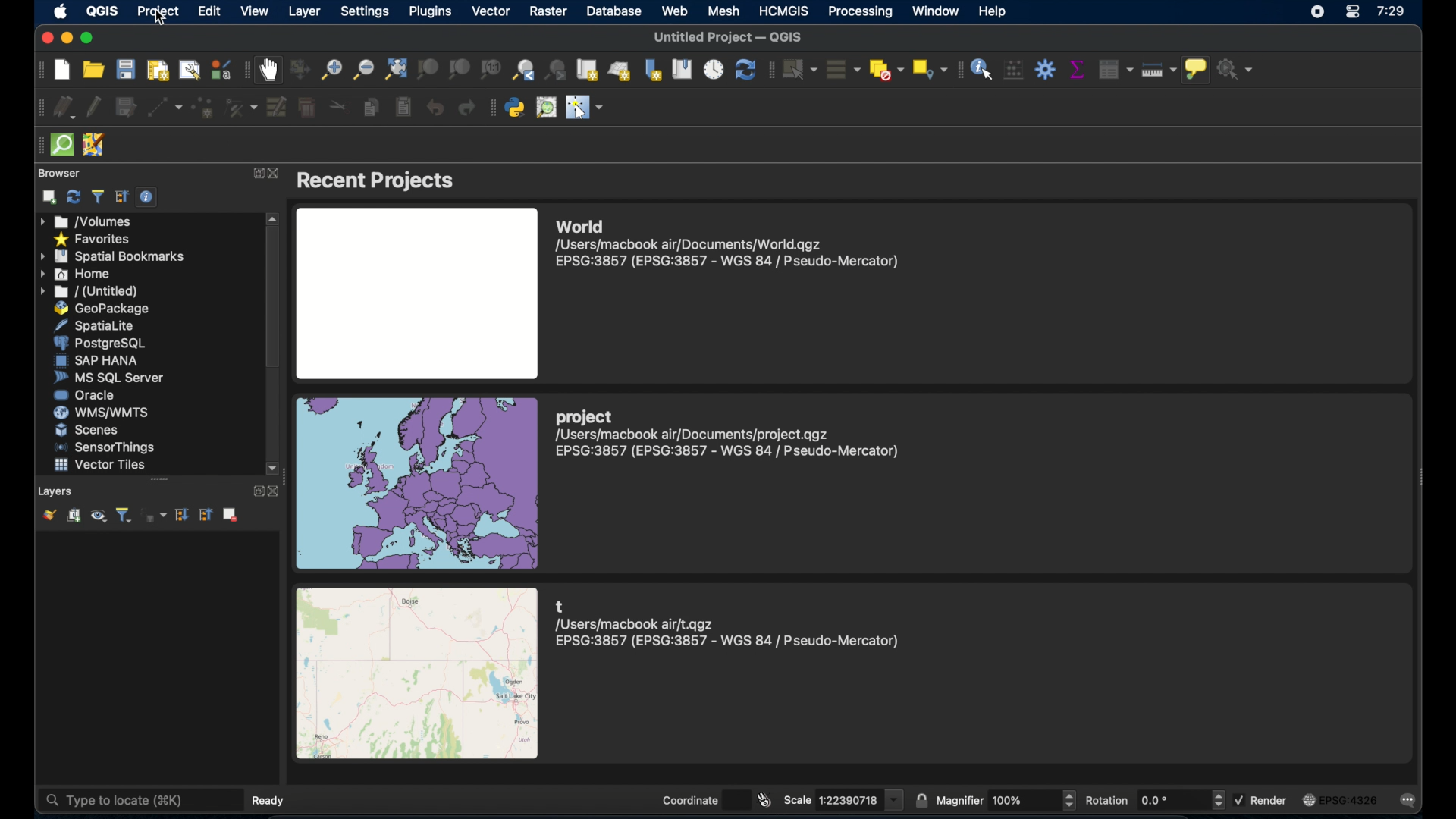 This screenshot has height=819, width=1456. I want to click on ms sql server, so click(112, 378).